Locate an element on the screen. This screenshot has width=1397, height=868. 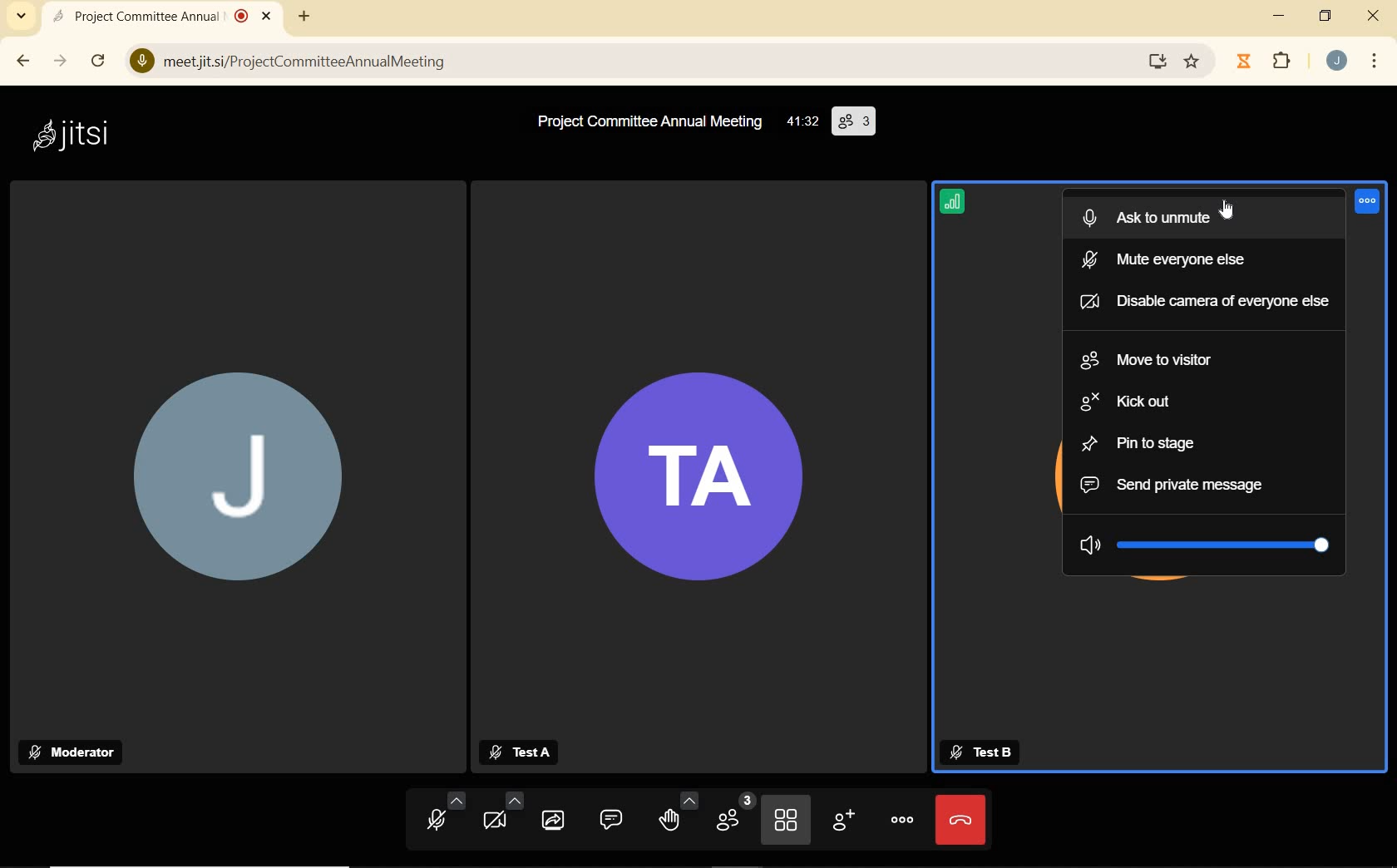
MORE ACTIONS is located at coordinates (899, 818).